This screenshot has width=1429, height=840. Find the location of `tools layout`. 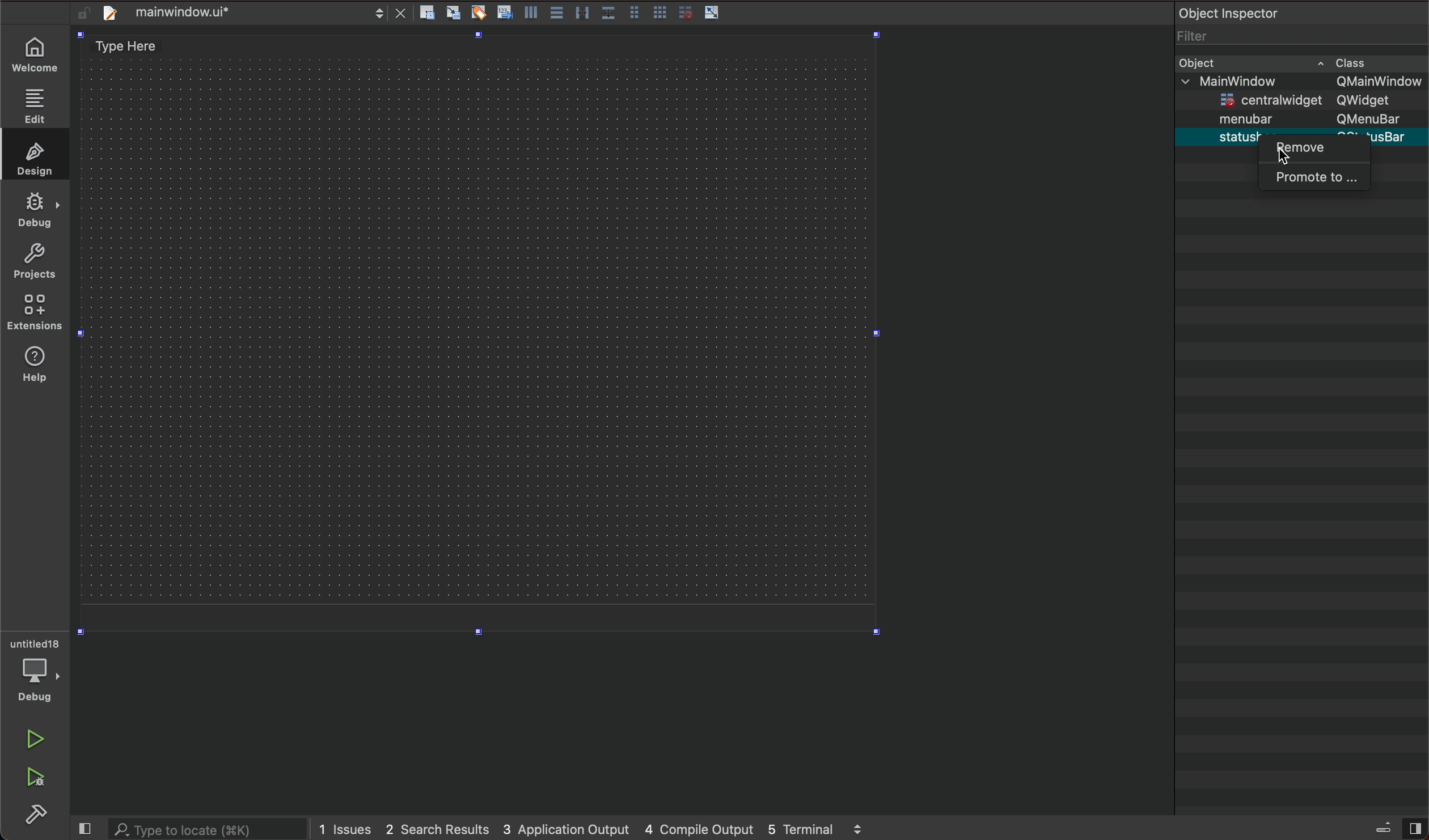

tools layout is located at coordinates (555, 12).